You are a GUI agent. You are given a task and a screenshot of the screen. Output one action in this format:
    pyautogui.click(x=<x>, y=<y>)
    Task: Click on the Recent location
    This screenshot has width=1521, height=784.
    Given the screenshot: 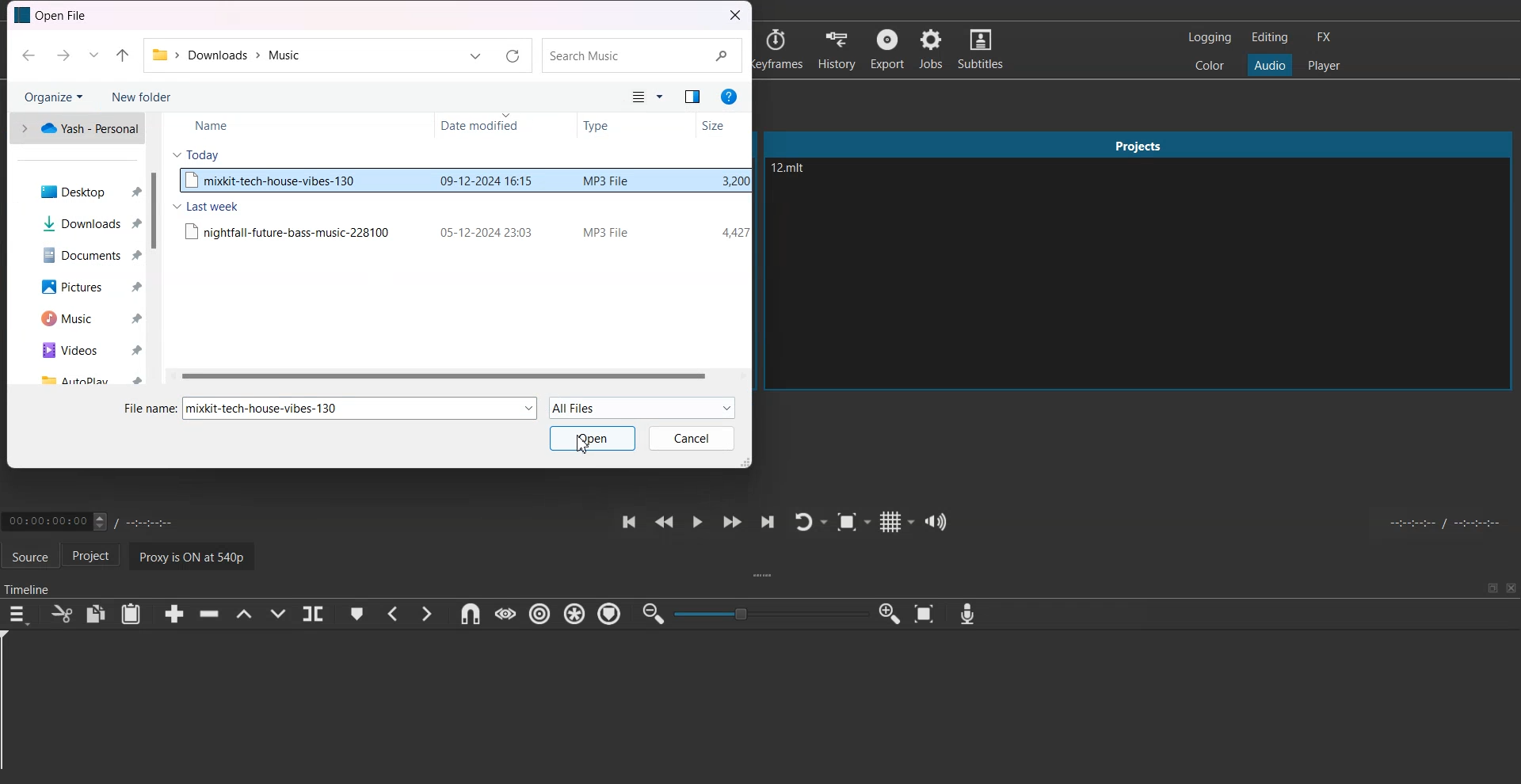 What is the action you would take?
    pyautogui.click(x=93, y=55)
    